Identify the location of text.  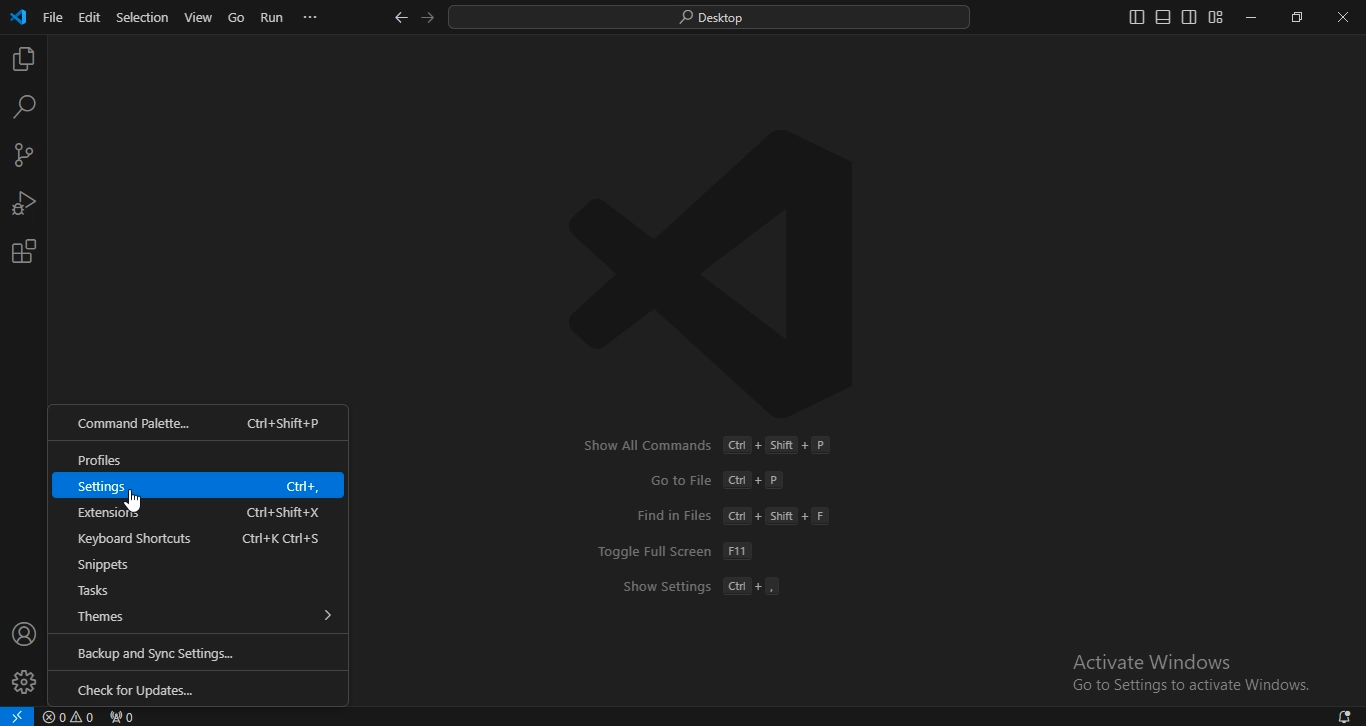
(717, 480).